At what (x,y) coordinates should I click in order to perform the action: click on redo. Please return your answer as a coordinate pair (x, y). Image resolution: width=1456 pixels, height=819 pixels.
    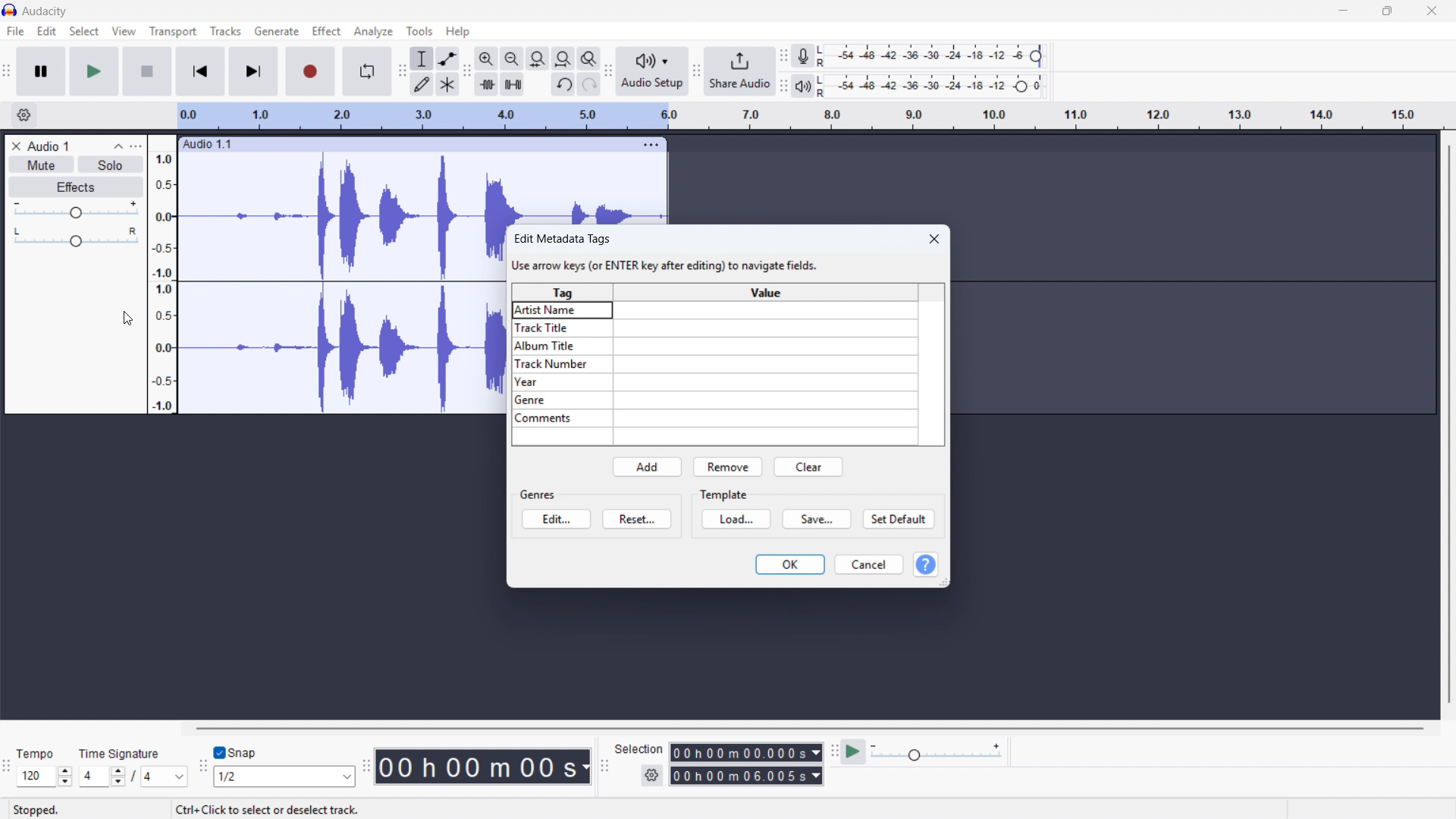
    Looking at the image, I should click on (588, 84).